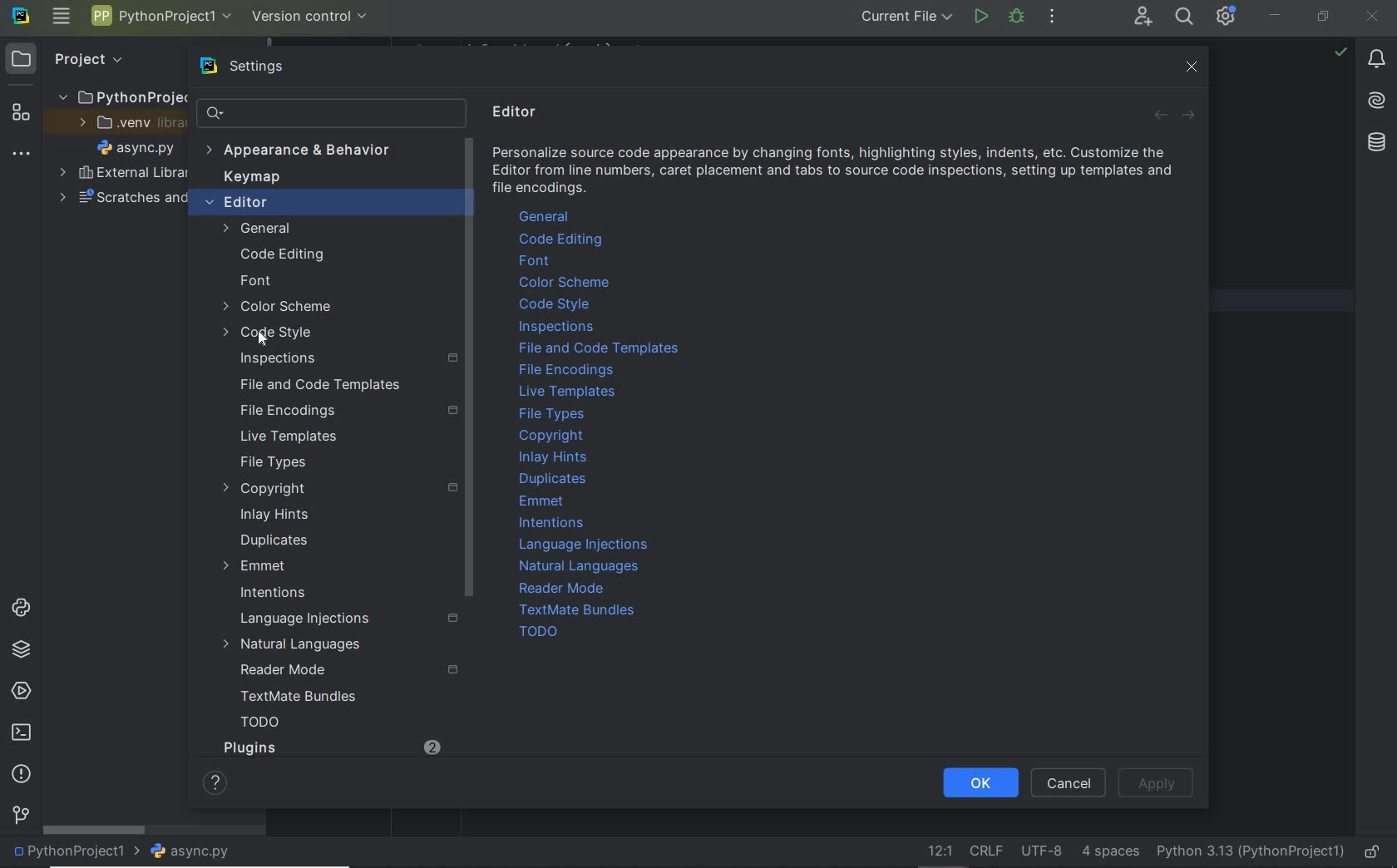 This screenshot has height=868, width=1397. What do you see at coordinates (563, 239) in the screenshot?
I see `code editing` at bounding box center [563, 239].